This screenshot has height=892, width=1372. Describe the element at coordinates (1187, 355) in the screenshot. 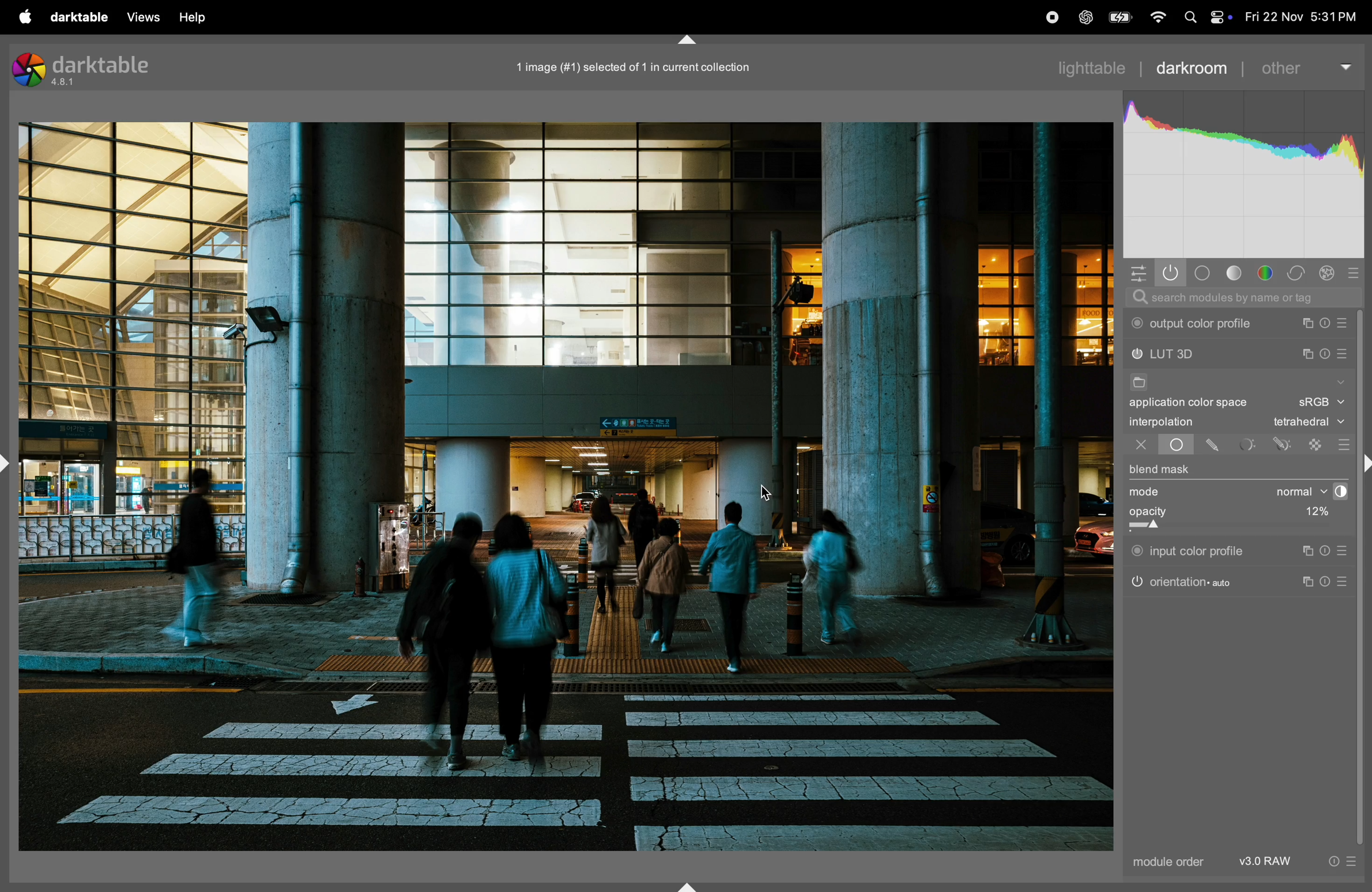

I see `lut 3d` at that location.